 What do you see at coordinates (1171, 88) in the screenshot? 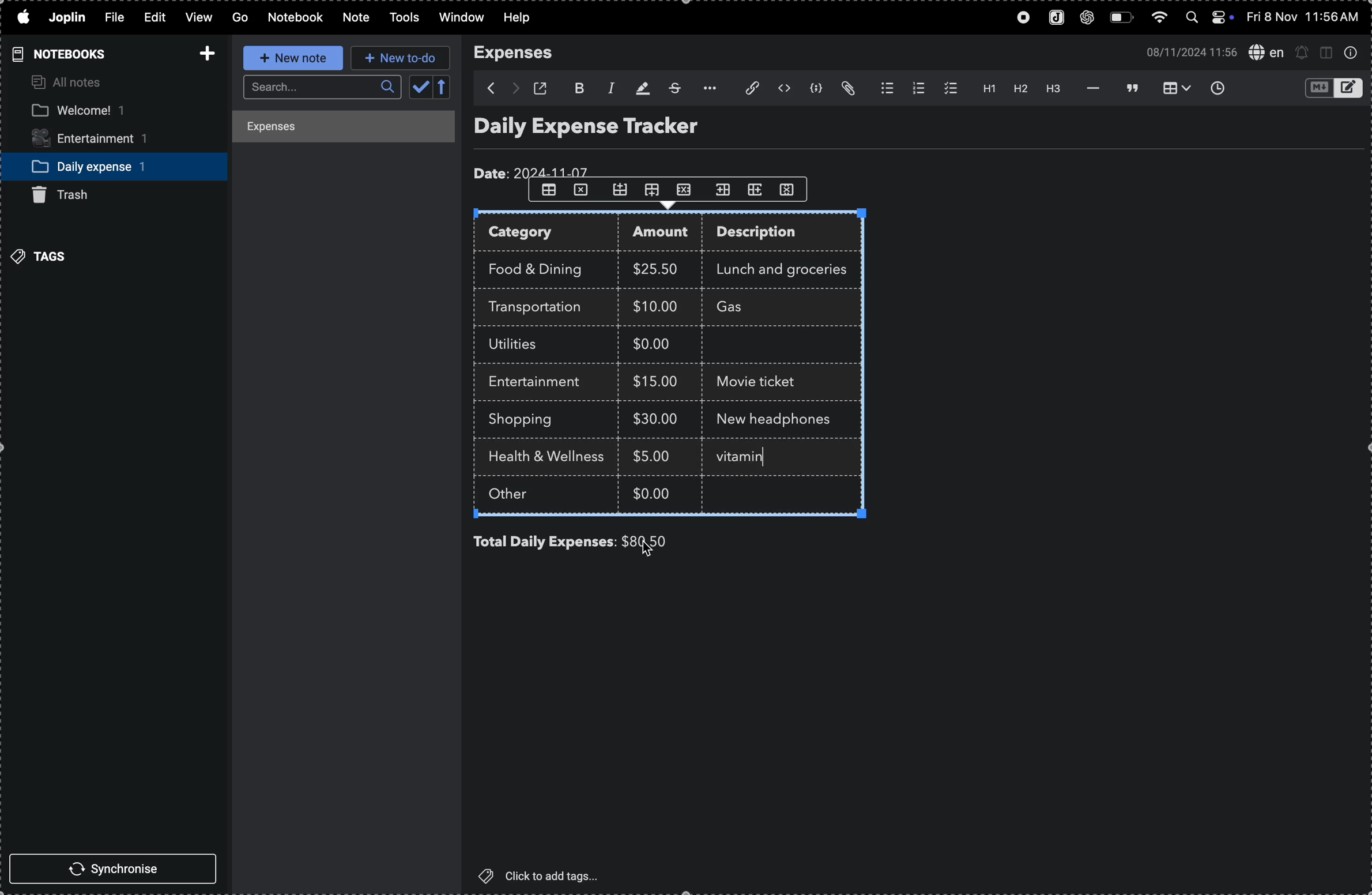
I see `table view` at bounding box center [1171, 88].